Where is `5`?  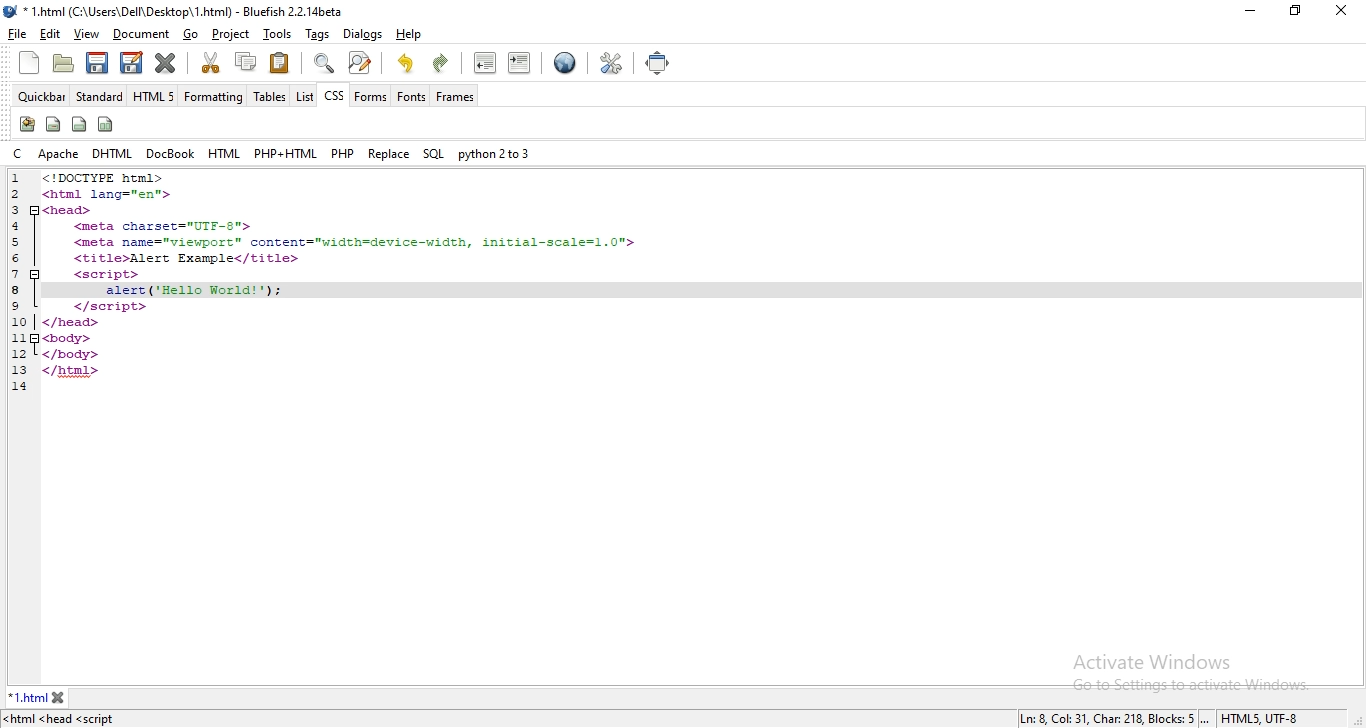 5 is located at coordinates (17, 241).